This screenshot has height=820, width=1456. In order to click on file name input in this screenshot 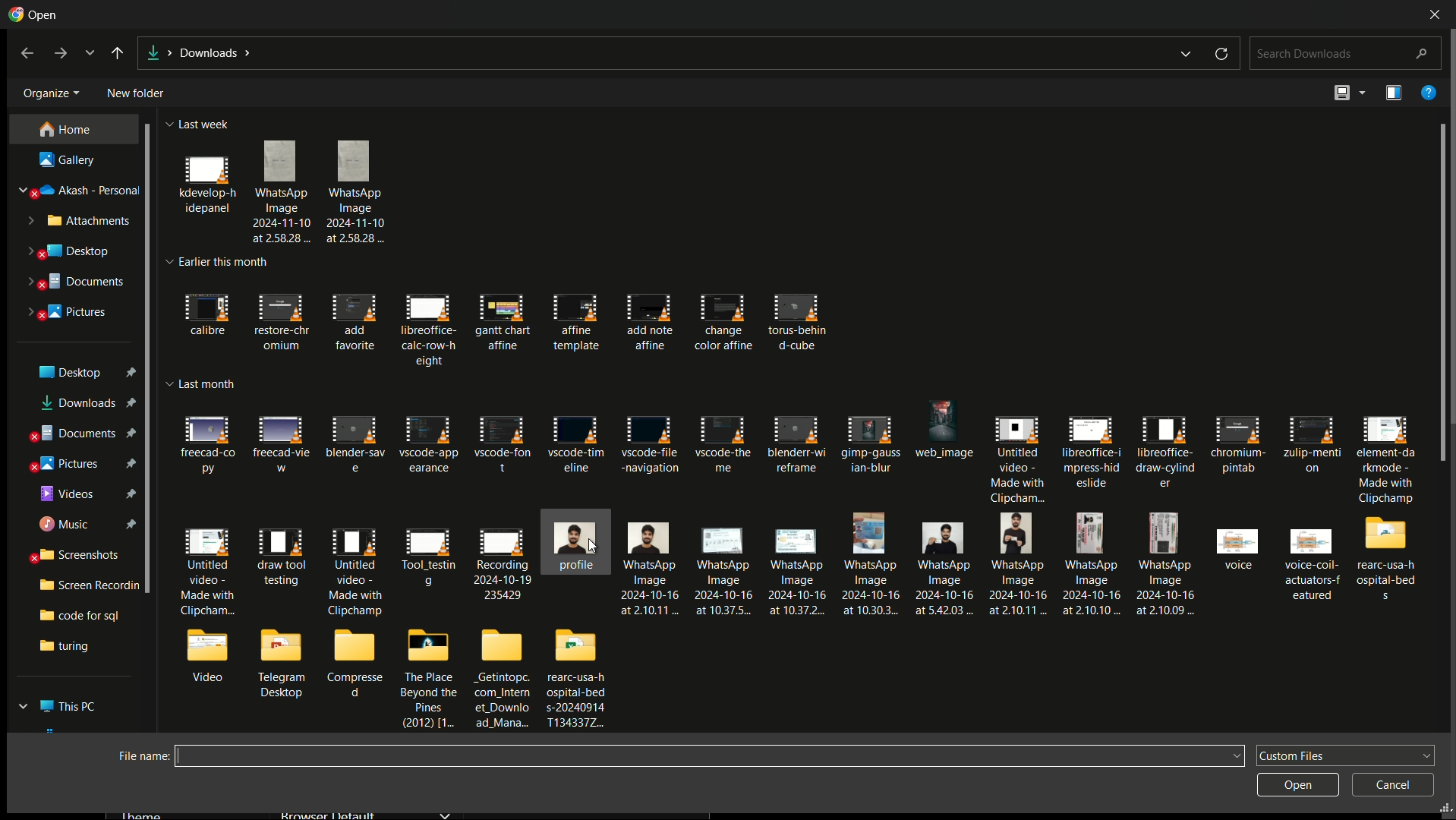, I will do `click(711, 755)`.